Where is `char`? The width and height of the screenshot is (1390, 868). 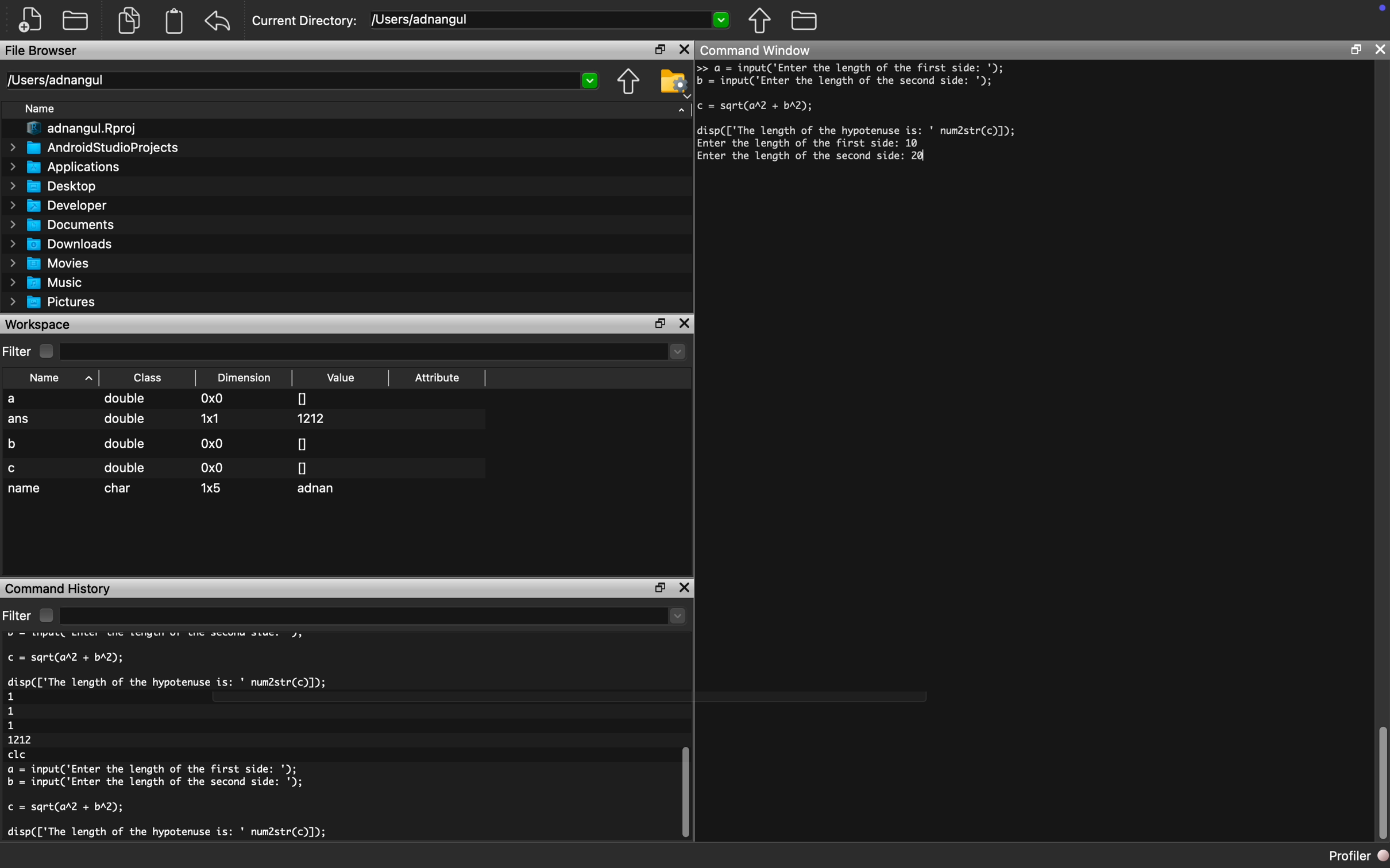 char is located at coordinates (121, 489).